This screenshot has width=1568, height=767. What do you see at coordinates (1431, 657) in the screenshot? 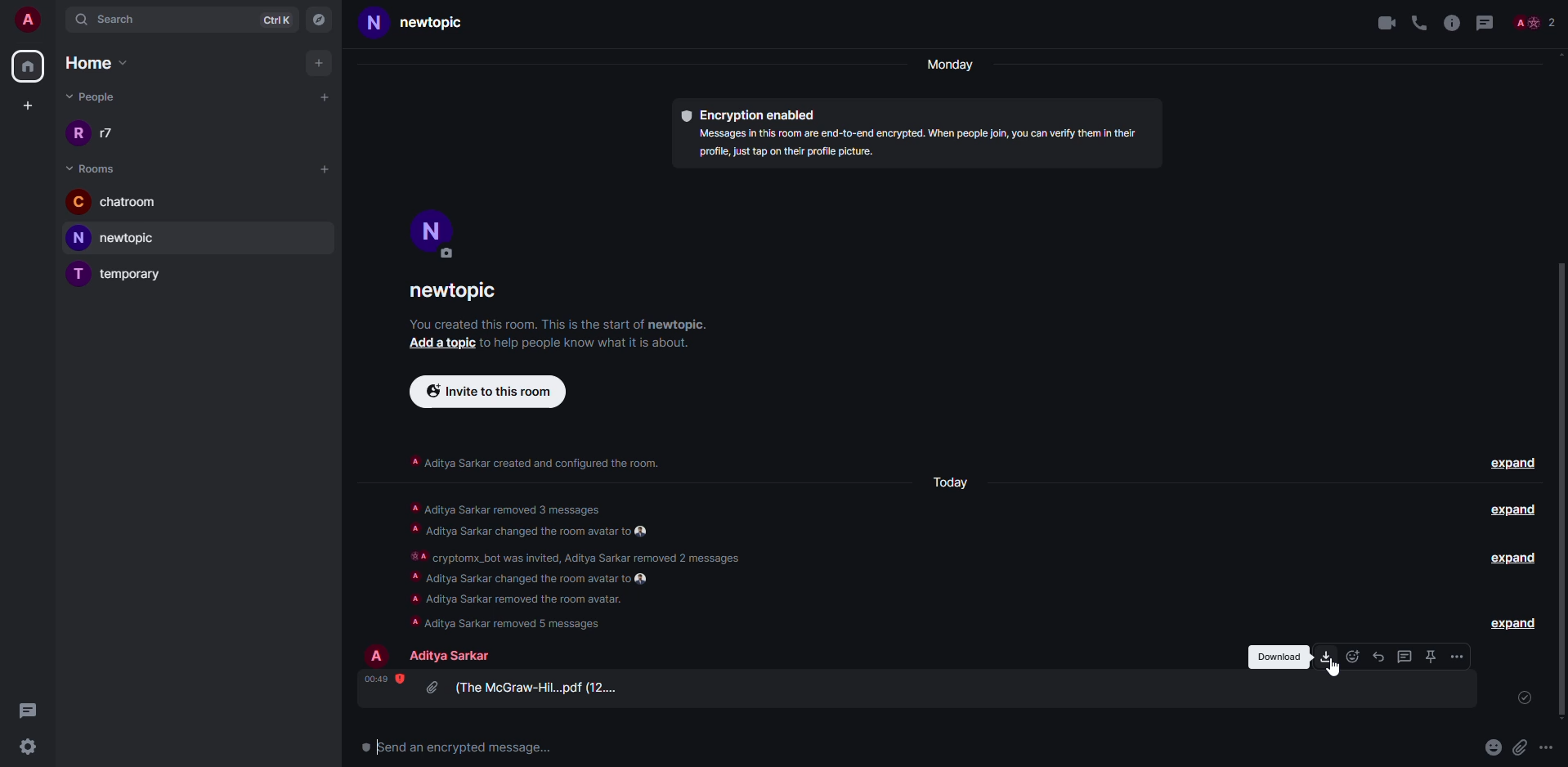
I see `pin` at bounding box center [1431, 657].